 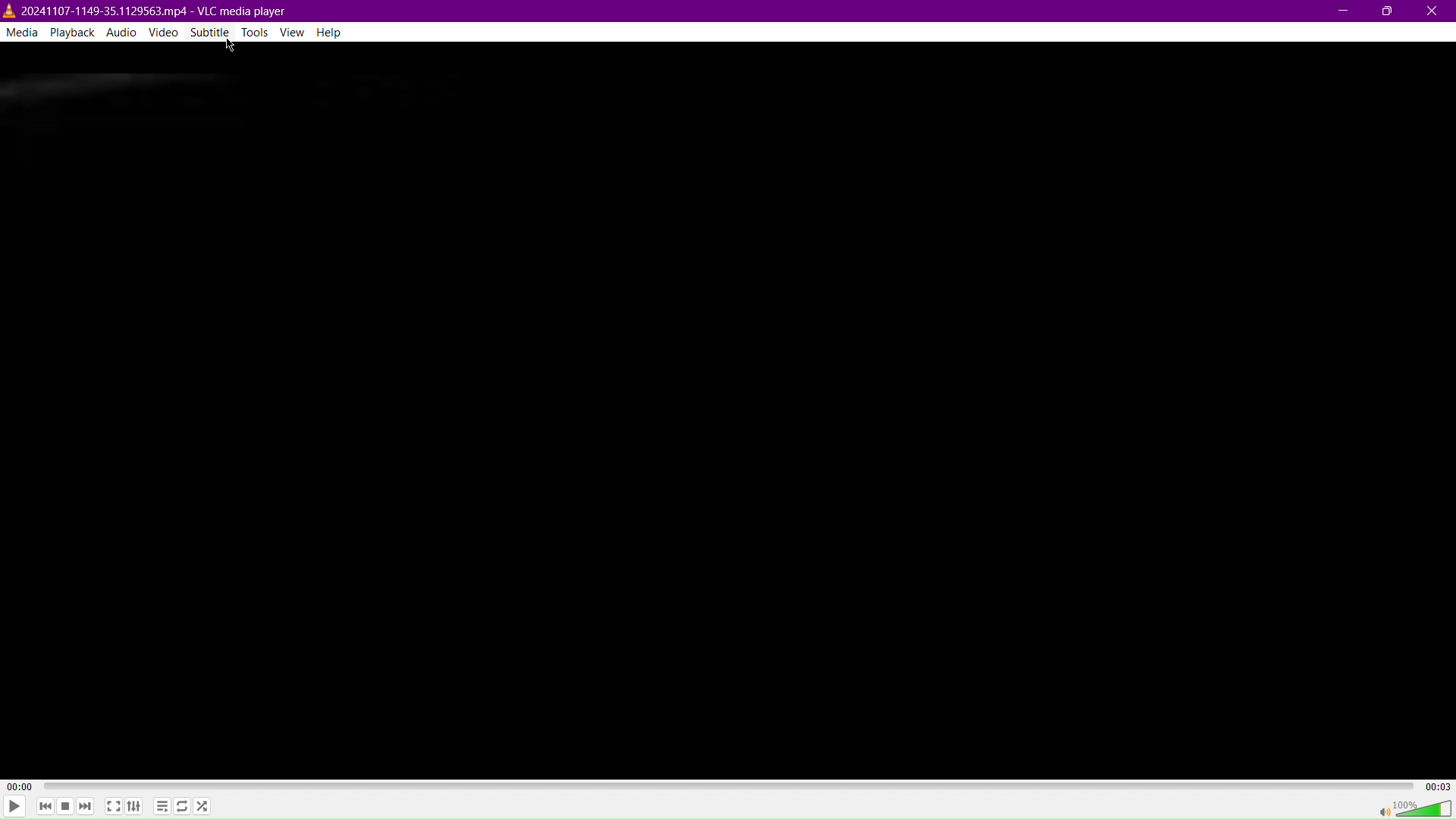 I want to click on View, so click(x=297, y=32).